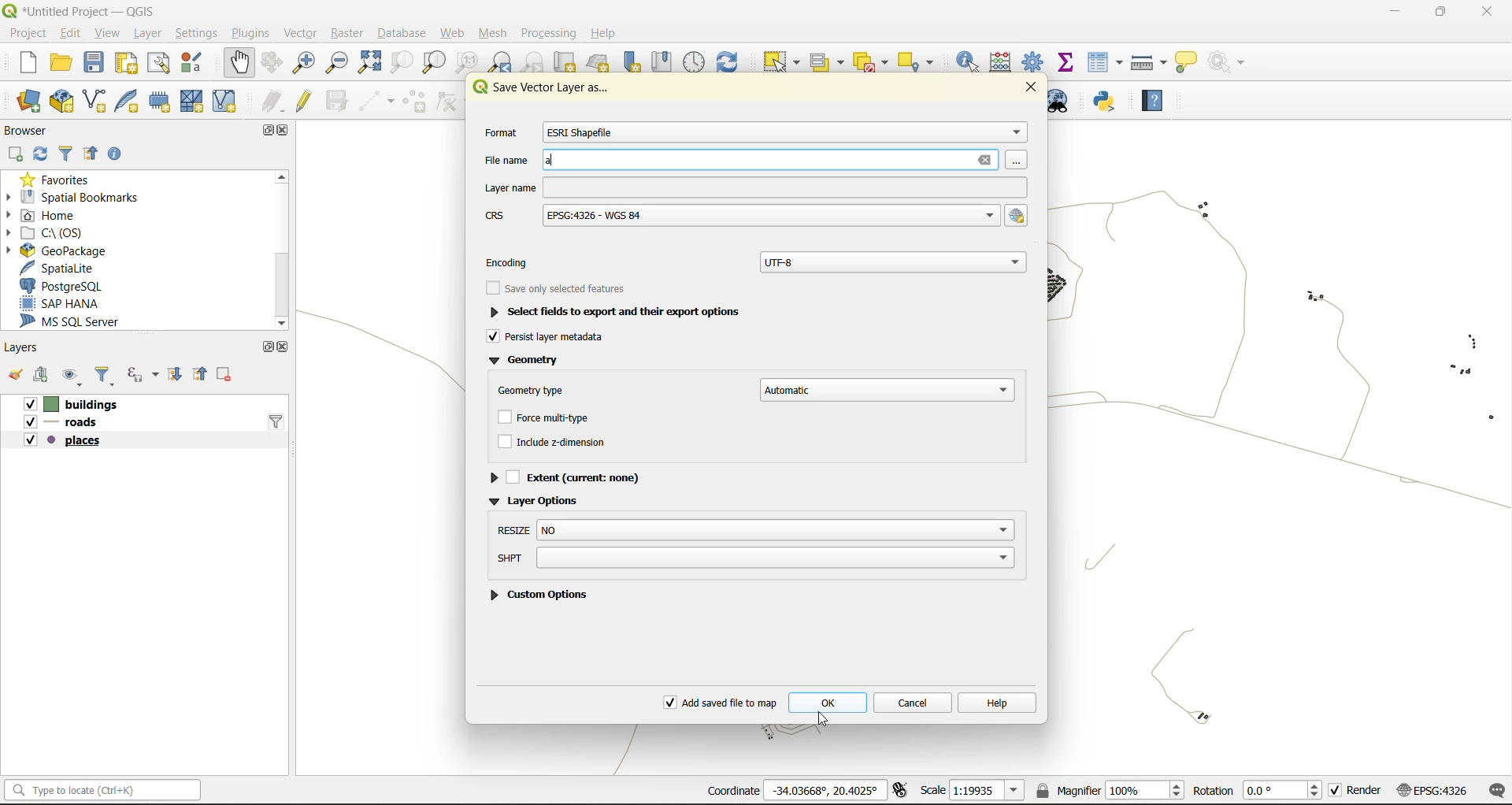  What do you see at coordinates (1147, 61) in the screenshot?
I see `measure line` at bounding box center [1147, 61].